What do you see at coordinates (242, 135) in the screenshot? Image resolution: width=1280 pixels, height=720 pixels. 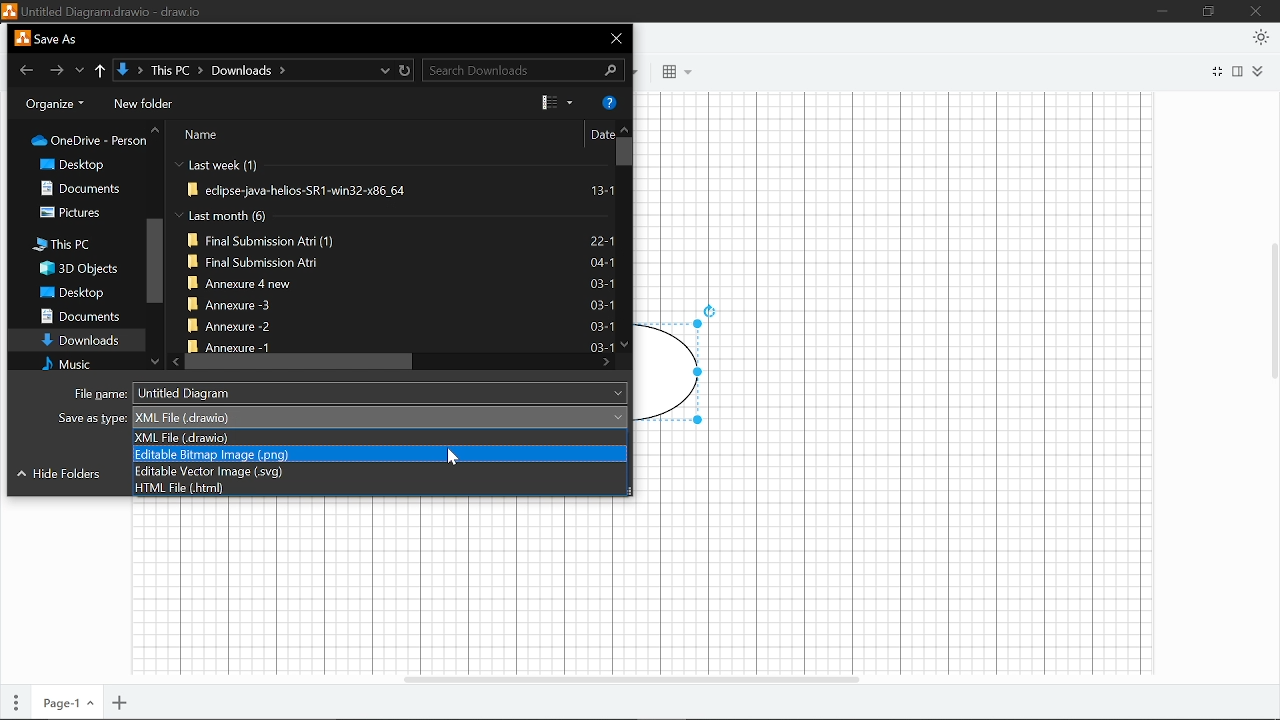 I see `Sort by Name` at bounding box center [242, 135].